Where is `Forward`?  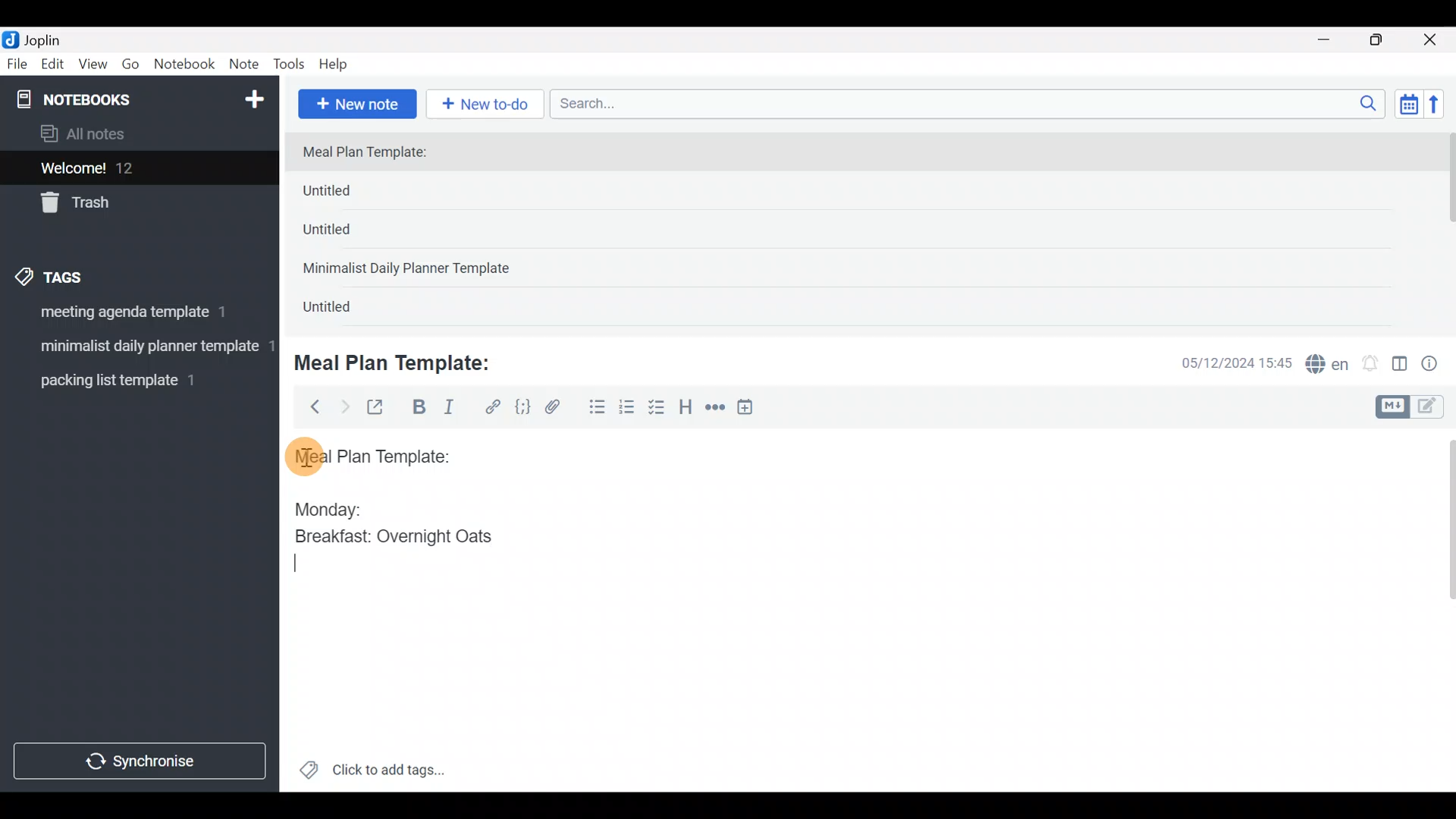 Forward is located at coordinates (344, 406).